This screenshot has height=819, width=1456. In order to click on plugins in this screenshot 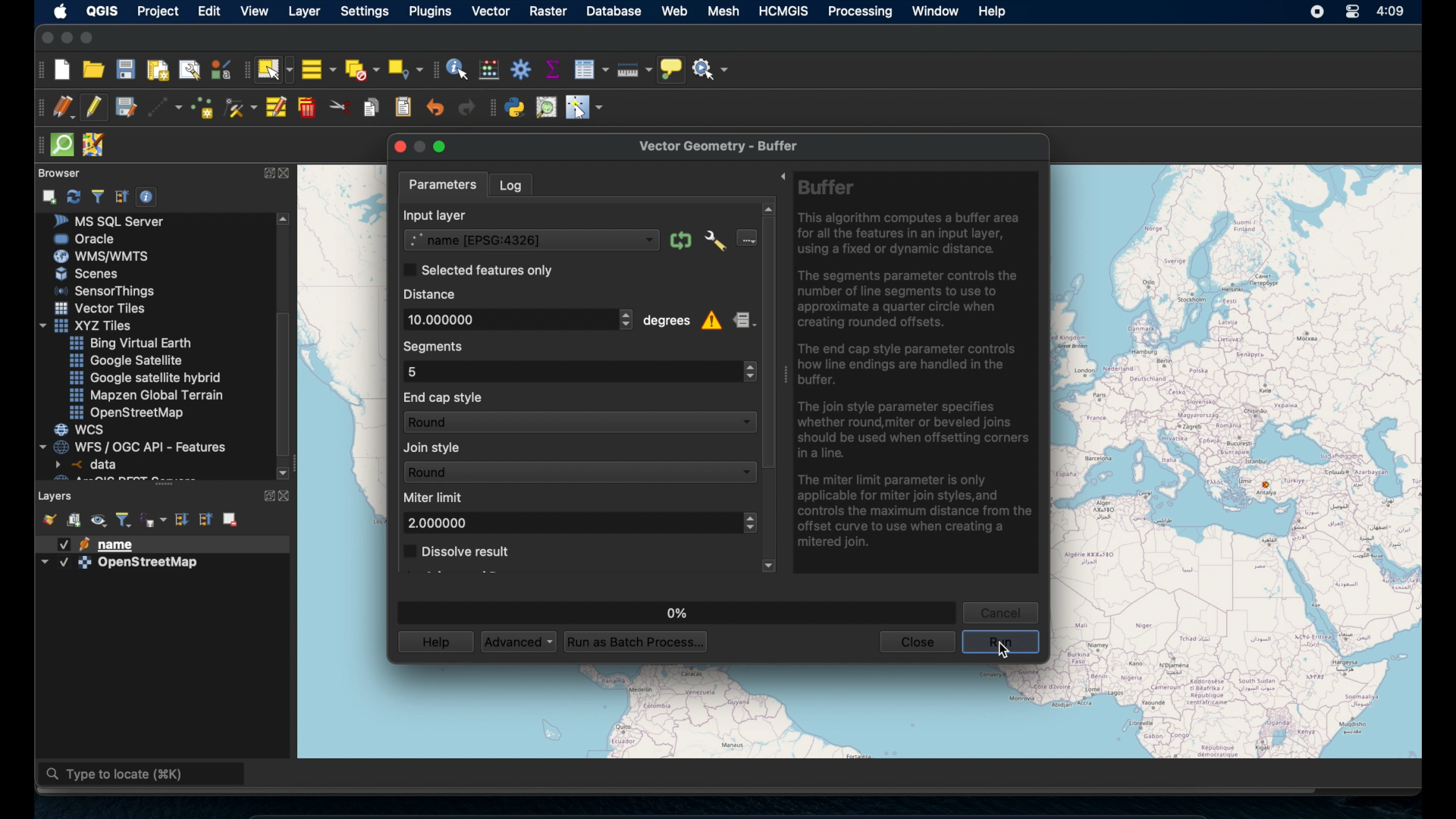, I will do `click(430, 11)`.